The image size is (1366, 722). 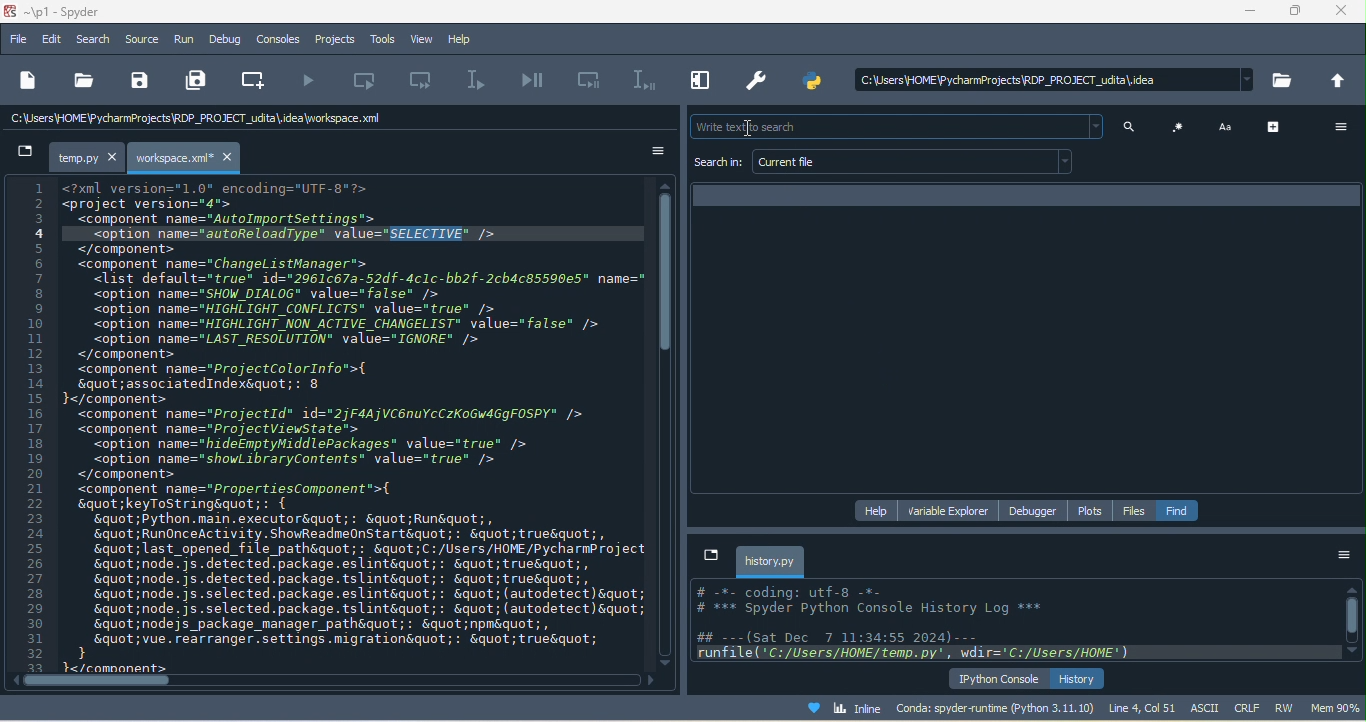 What do you see at coordinates (1092, 510) in the screenshot?
I see `plots` at bounding box center [1092, 510].